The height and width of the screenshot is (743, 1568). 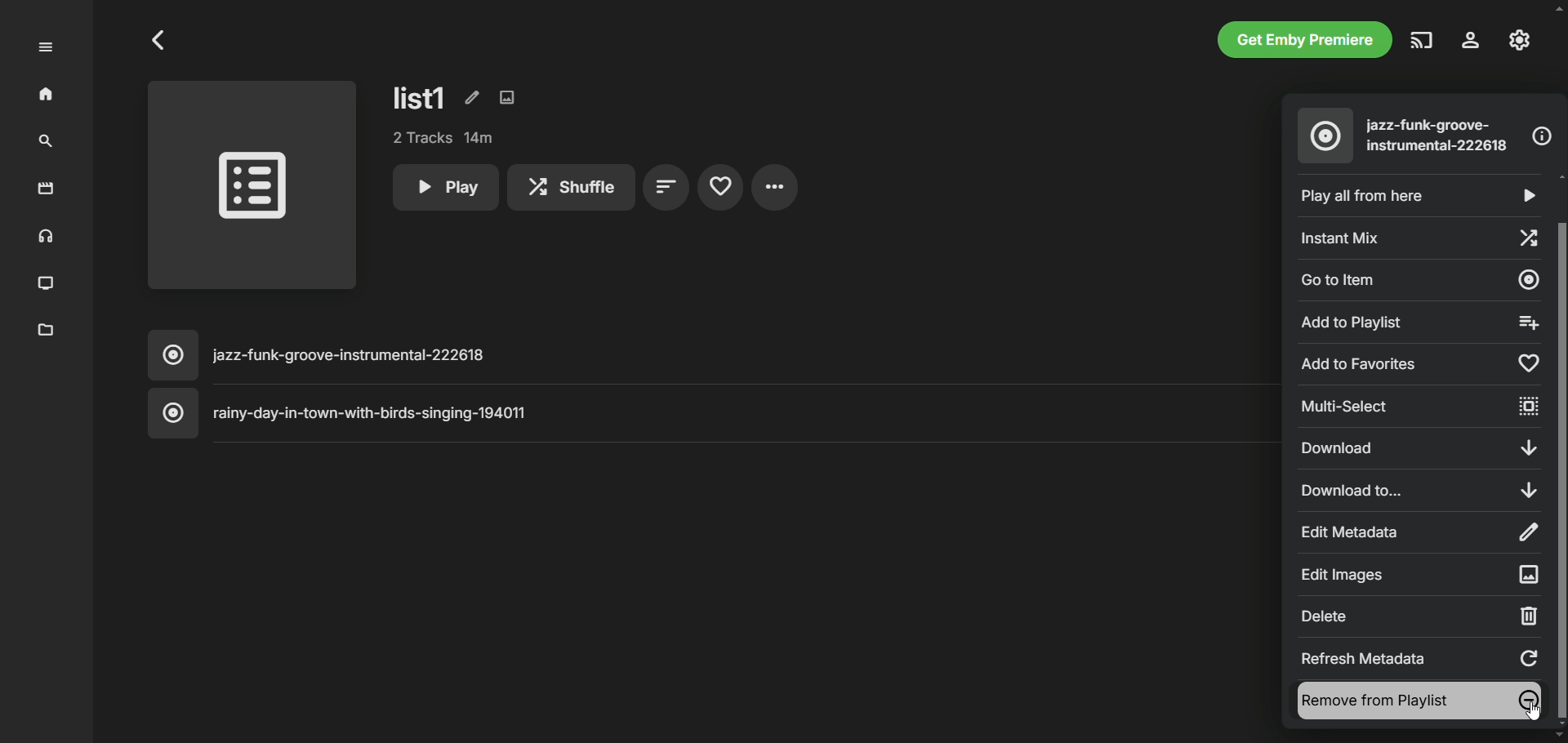 I want to click on go to item, so click(x=1420, y=278).